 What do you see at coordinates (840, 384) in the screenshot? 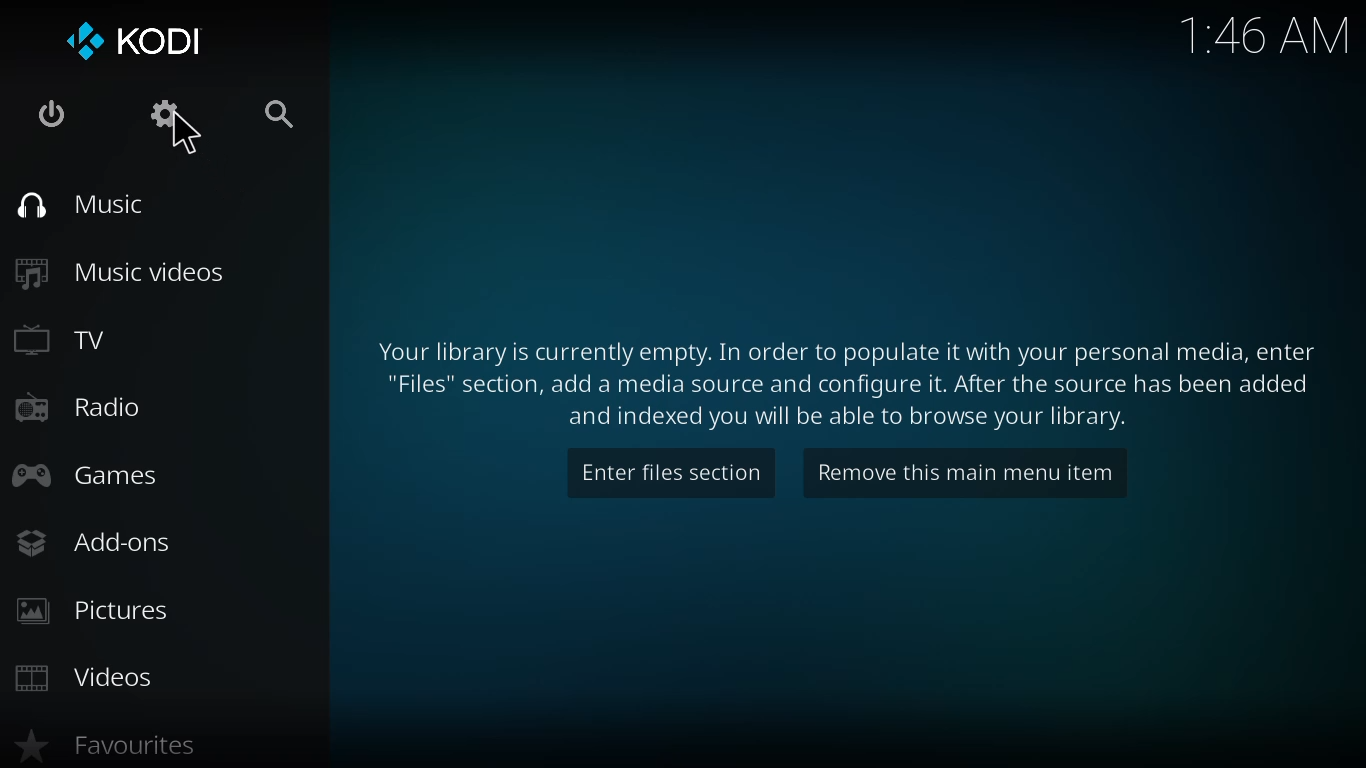
I see `info` at bounding box center [840, 384].